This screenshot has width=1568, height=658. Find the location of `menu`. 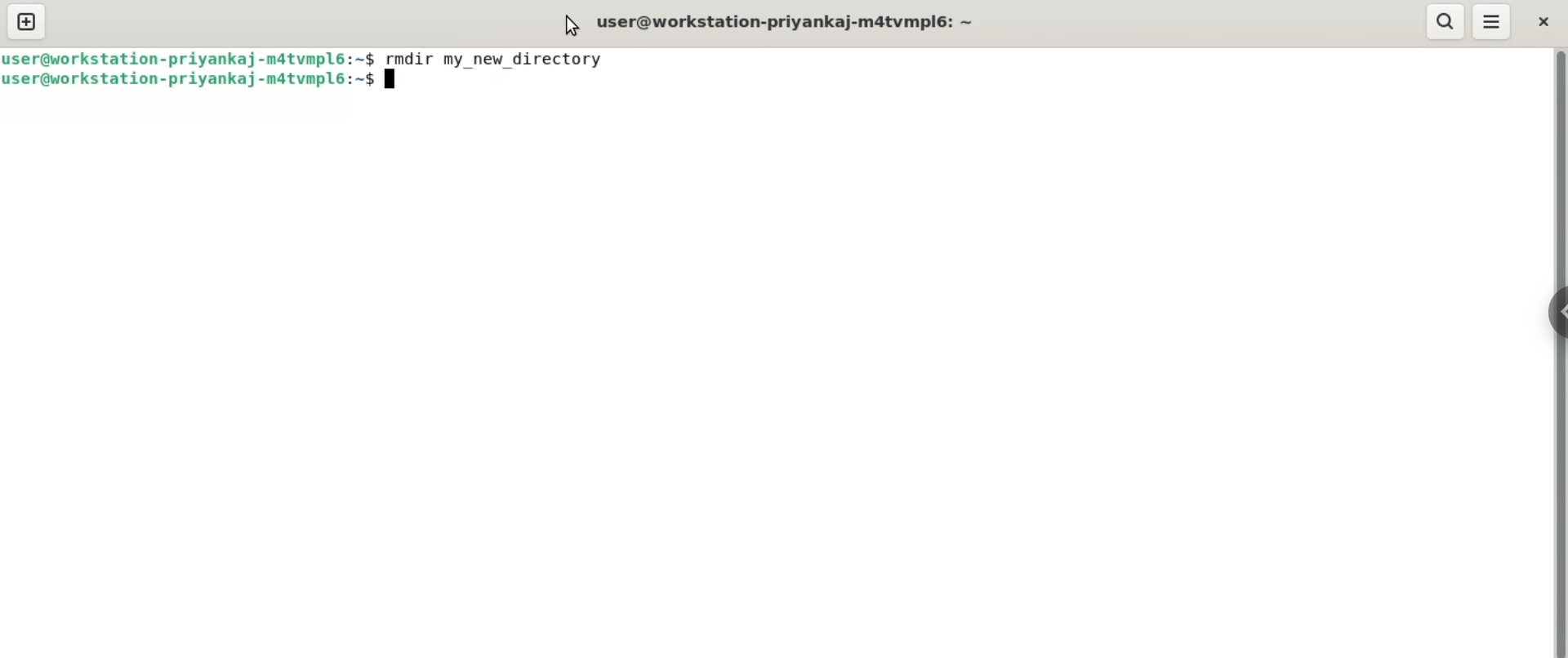

menu is located at coordinates (1492, 22).